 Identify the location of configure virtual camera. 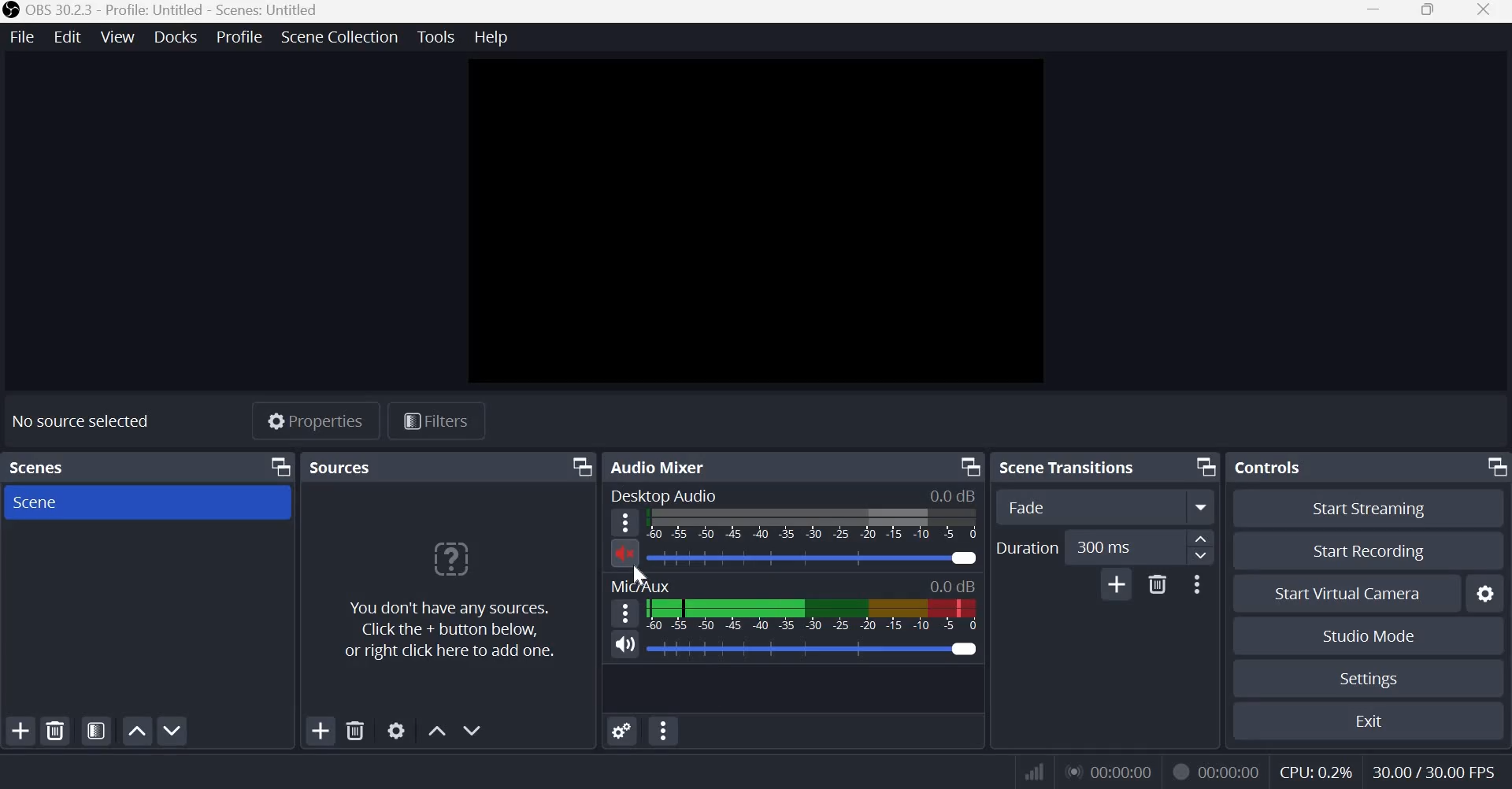
(1484, 595).